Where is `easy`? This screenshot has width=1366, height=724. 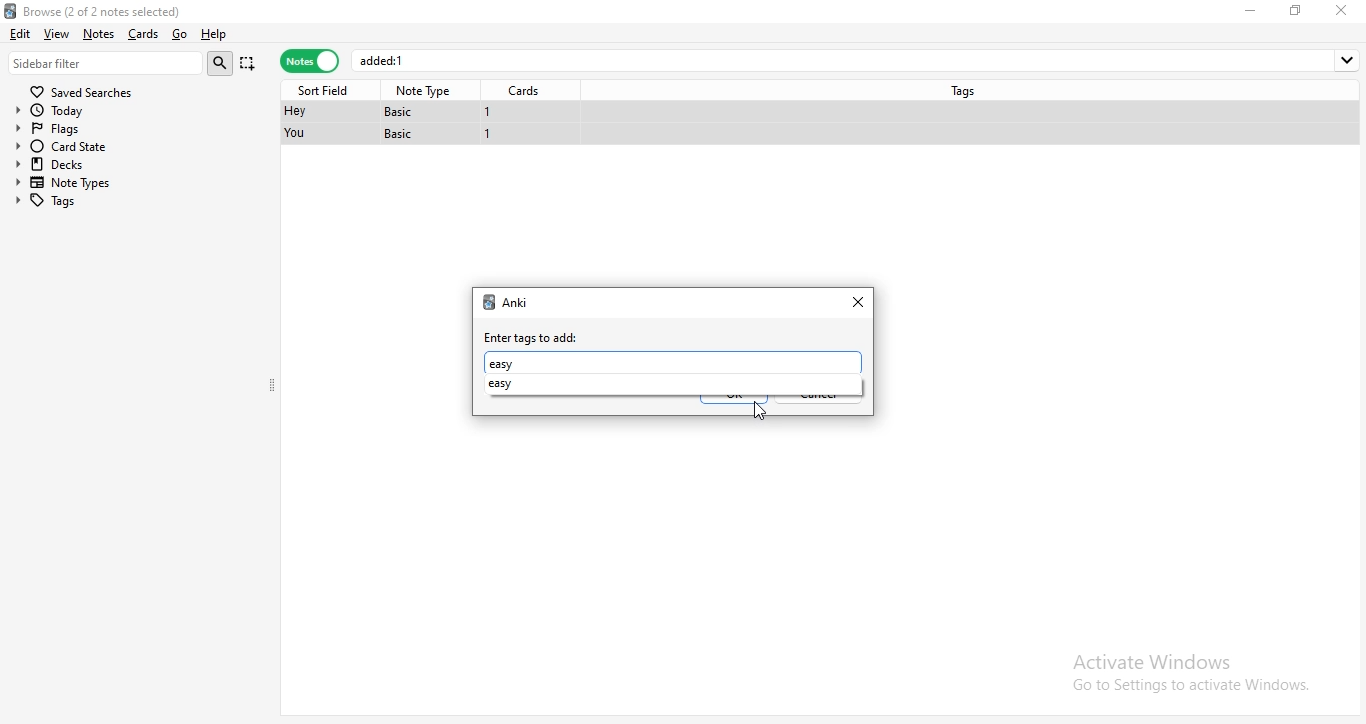 easy is located at coordinates (503, 364).